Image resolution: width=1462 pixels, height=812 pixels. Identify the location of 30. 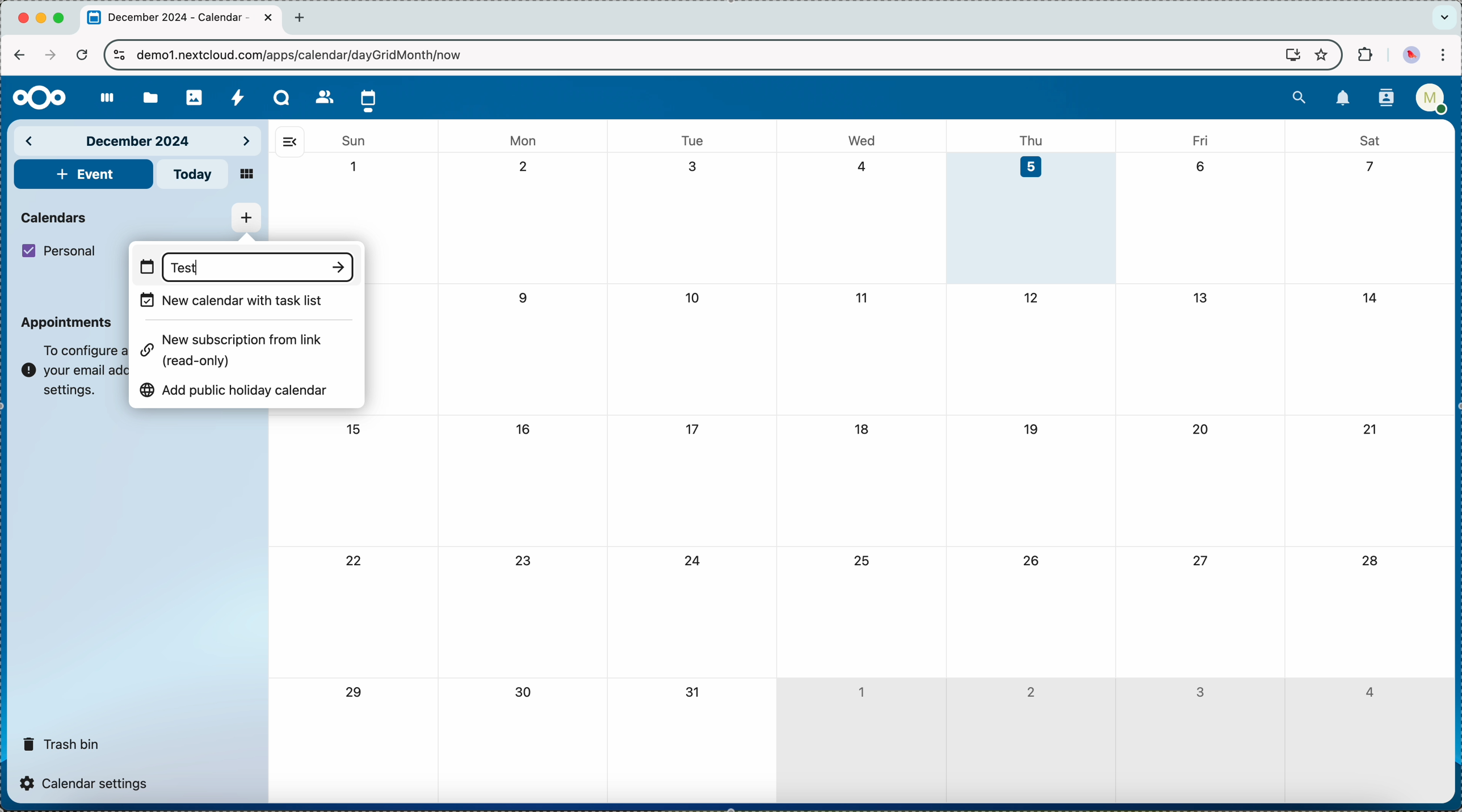
(527, 694).